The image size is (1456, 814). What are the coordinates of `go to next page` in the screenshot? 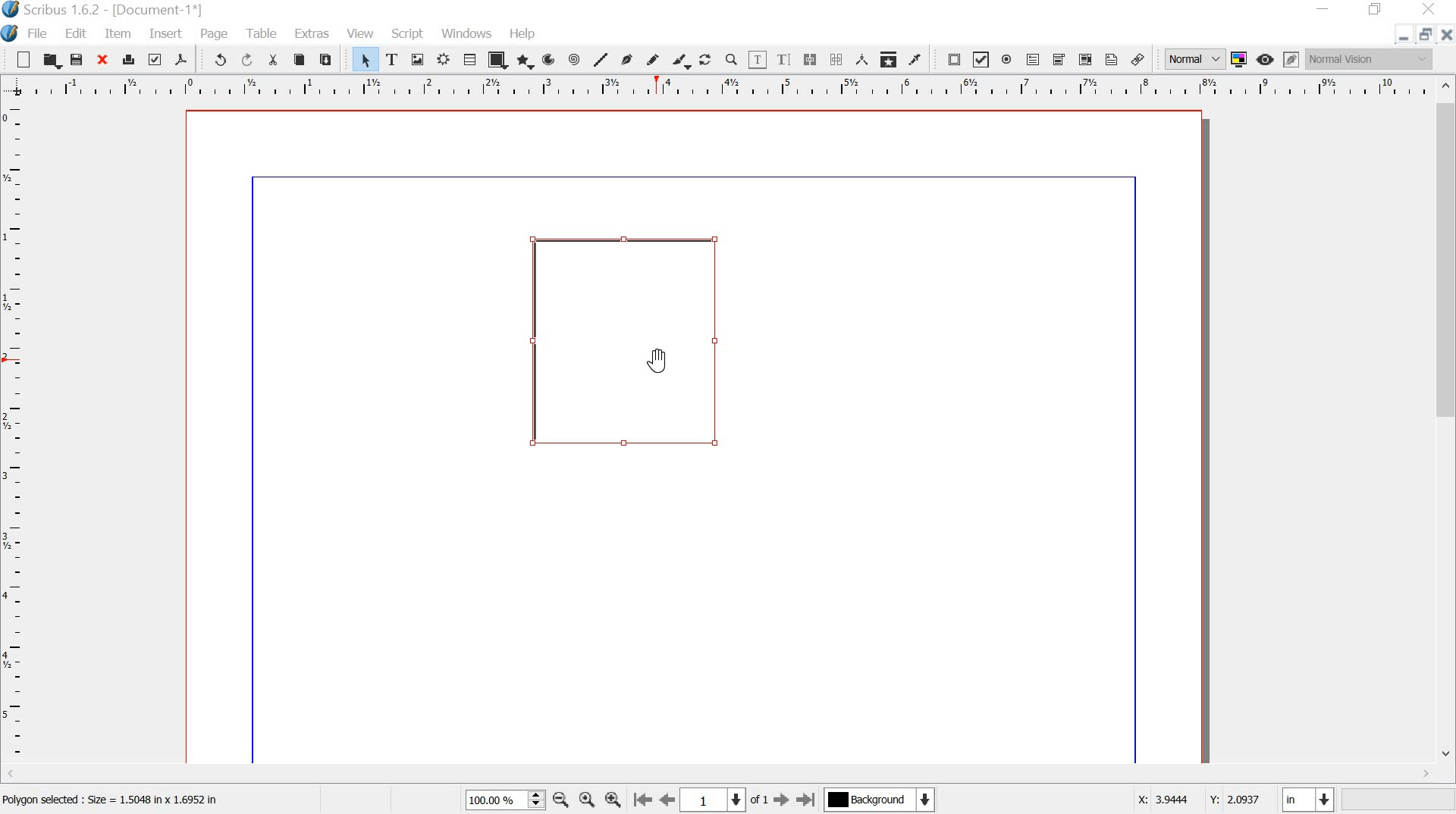 It's located at (783, 800).